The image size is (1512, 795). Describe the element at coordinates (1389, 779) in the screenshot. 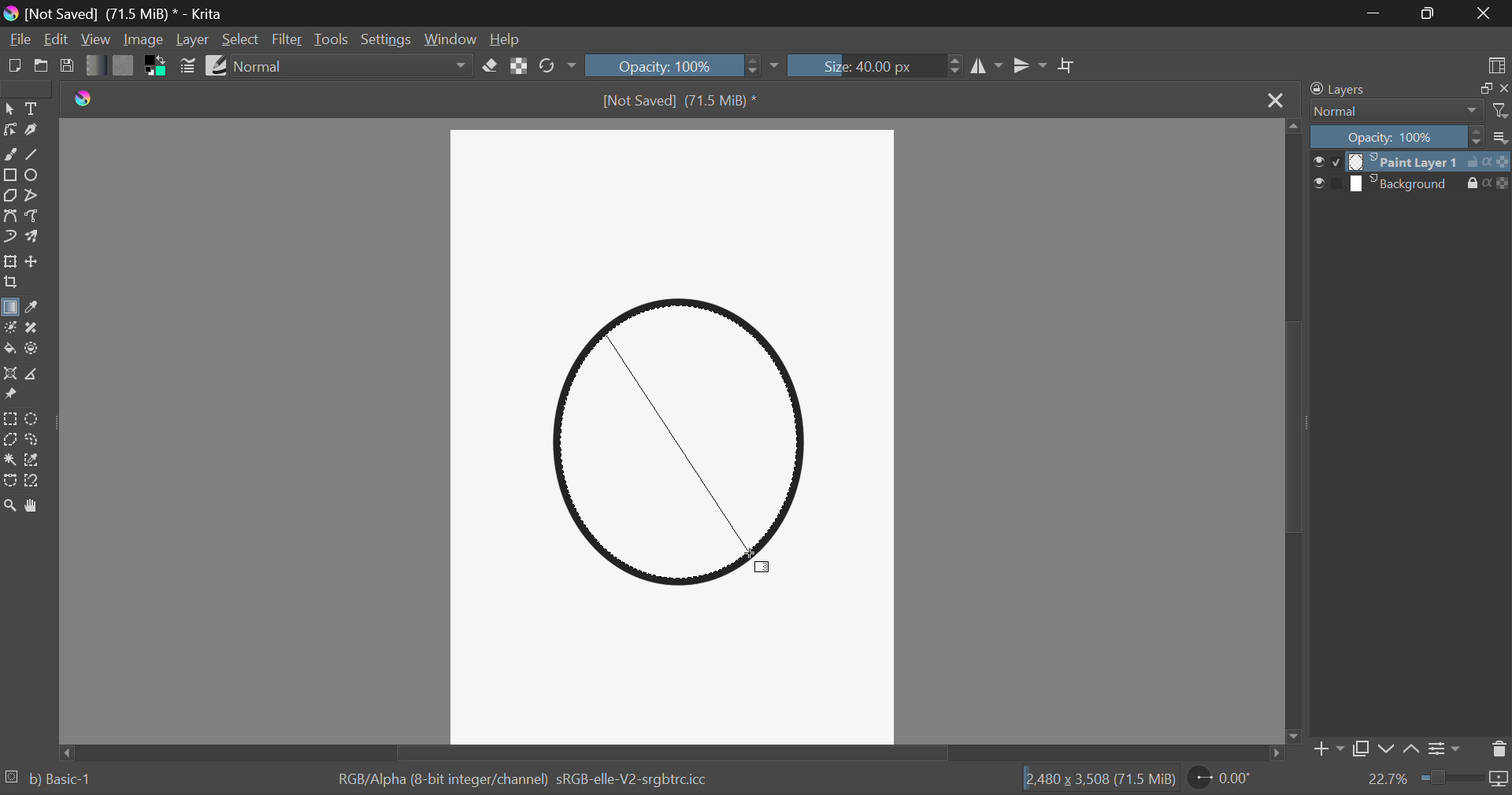

I see `zoom value` at that location.